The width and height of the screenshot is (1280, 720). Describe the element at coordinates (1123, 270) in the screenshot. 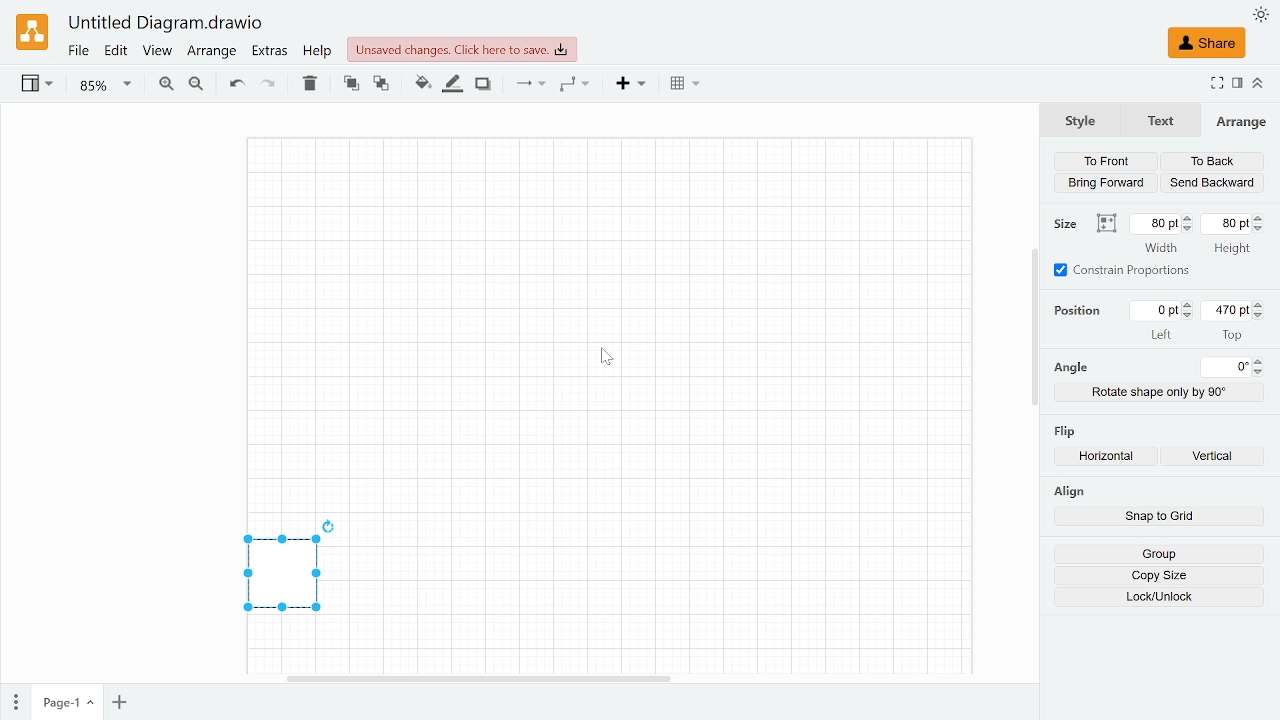

I see `Constrain proportions` at that location.